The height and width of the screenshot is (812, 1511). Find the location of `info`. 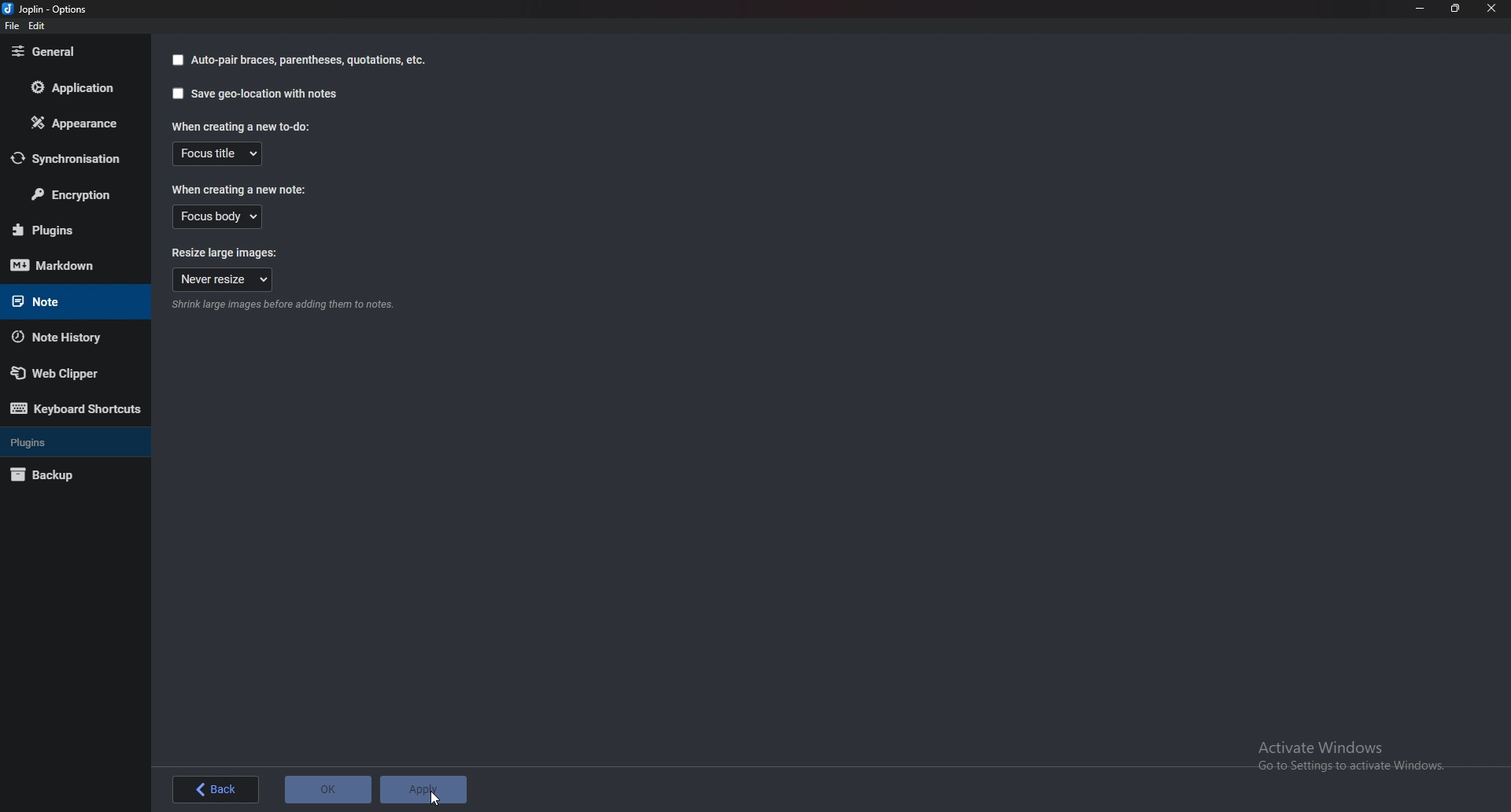

info is located at coordinates (280, 307).